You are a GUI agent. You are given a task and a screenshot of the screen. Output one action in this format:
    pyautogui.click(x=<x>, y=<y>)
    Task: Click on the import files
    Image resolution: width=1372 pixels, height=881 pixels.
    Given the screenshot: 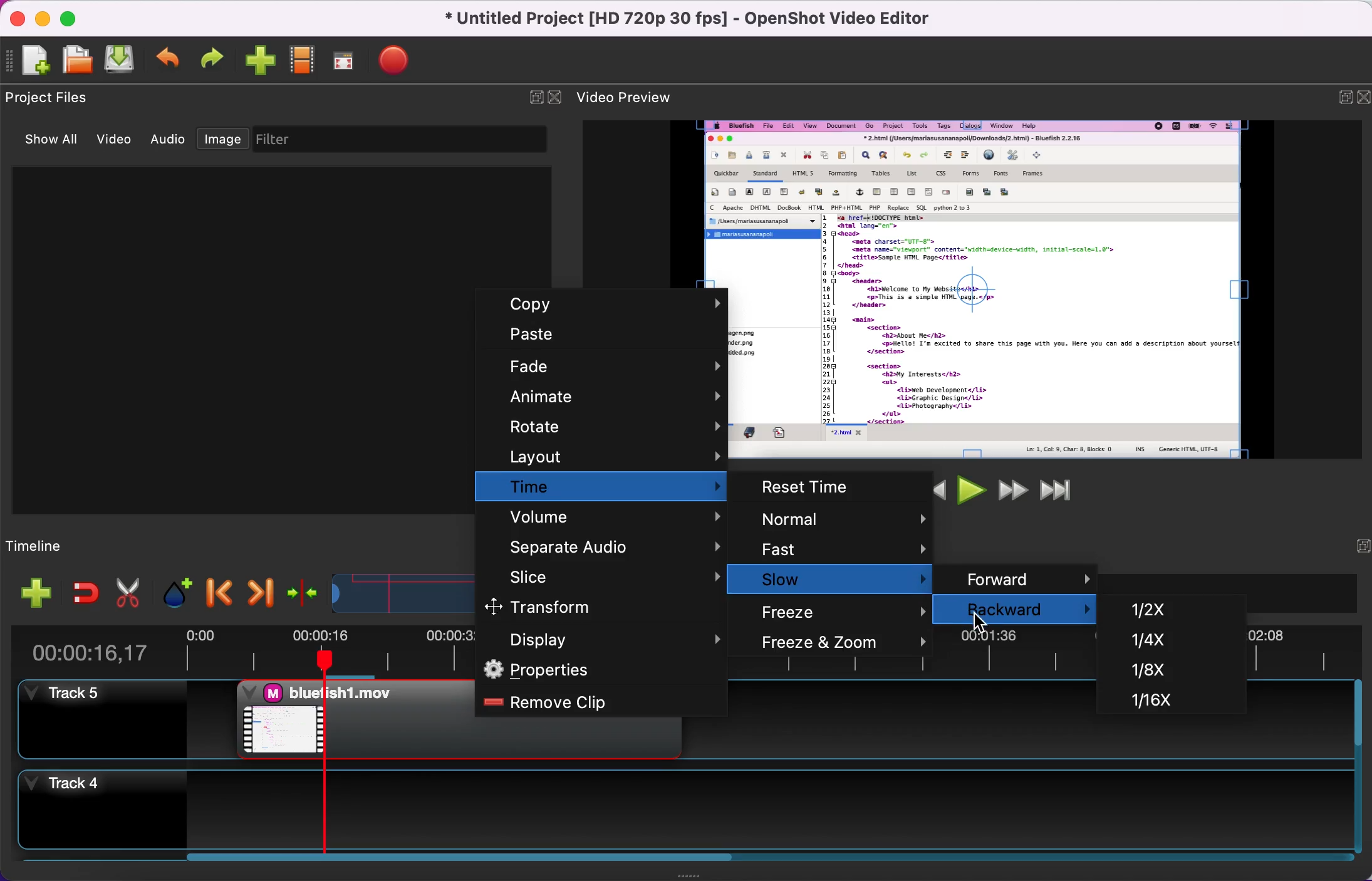 What is the action you would take?
    pyautogui.click(x=261, y=62)
    